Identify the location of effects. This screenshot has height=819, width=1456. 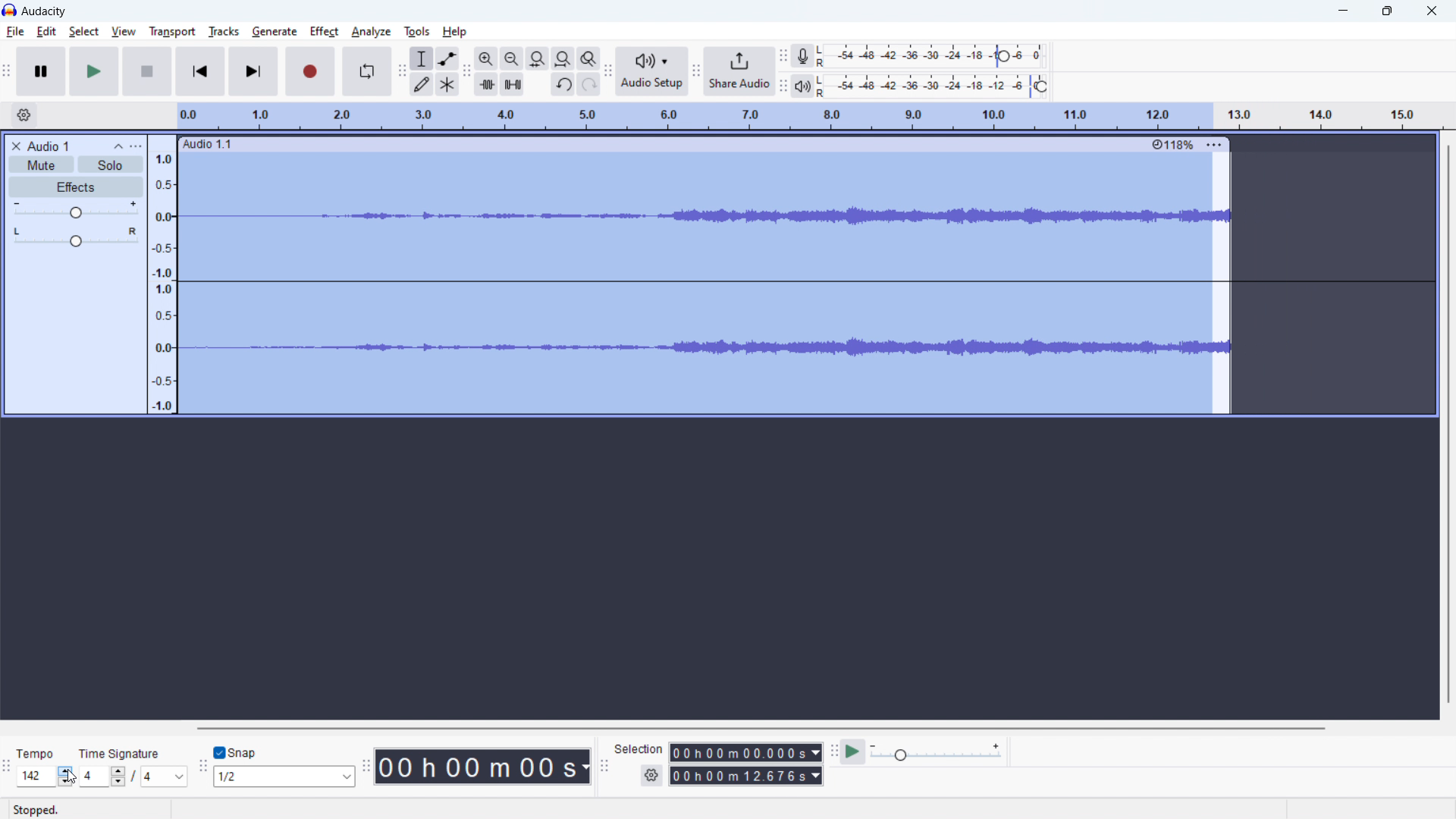
(77, 187).